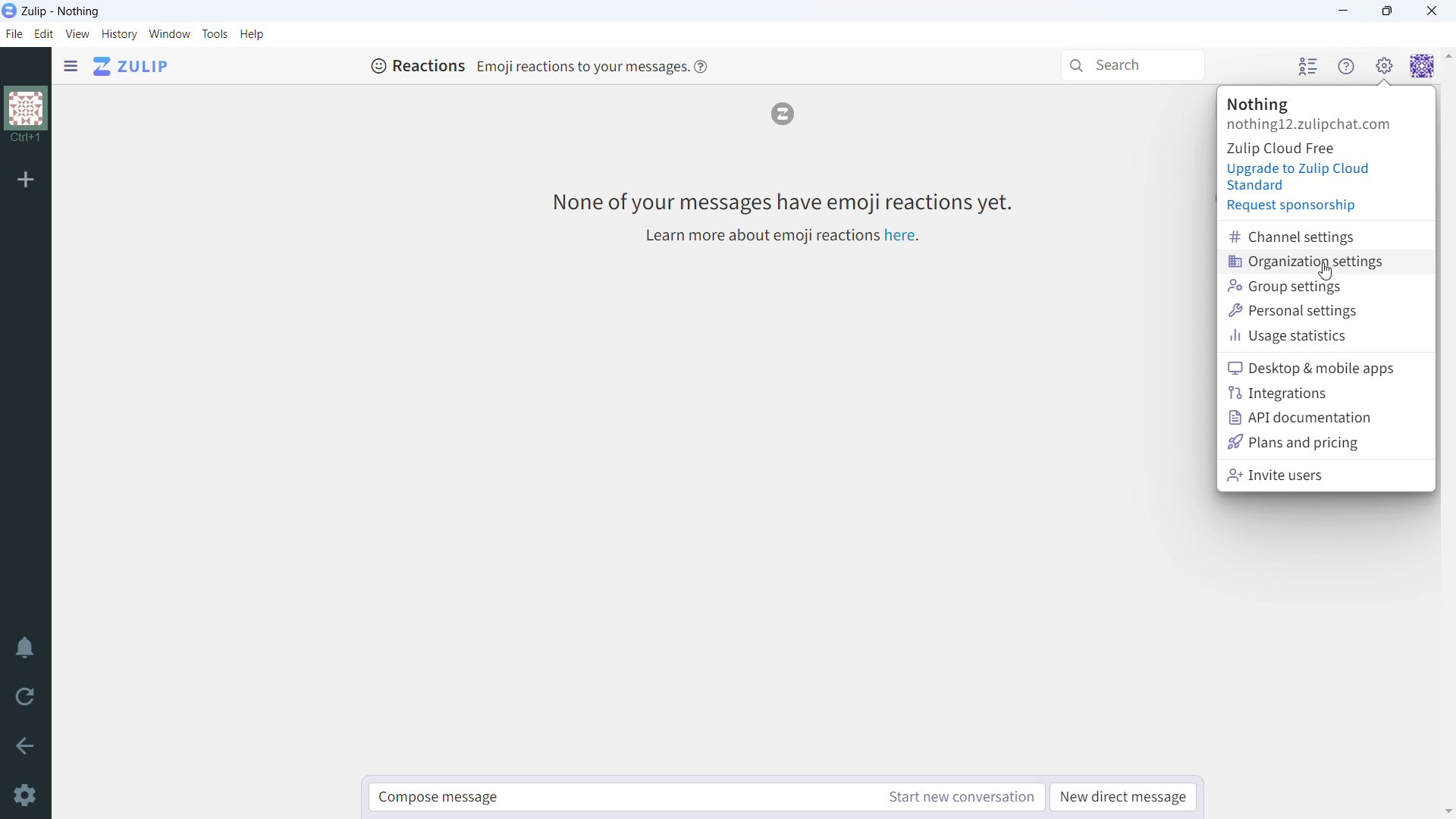 Image resolution: width=1456 pixels, height=819 pixels. Describe the element at coordinates (13, 34) in the screenshot. I see `file` at that location.